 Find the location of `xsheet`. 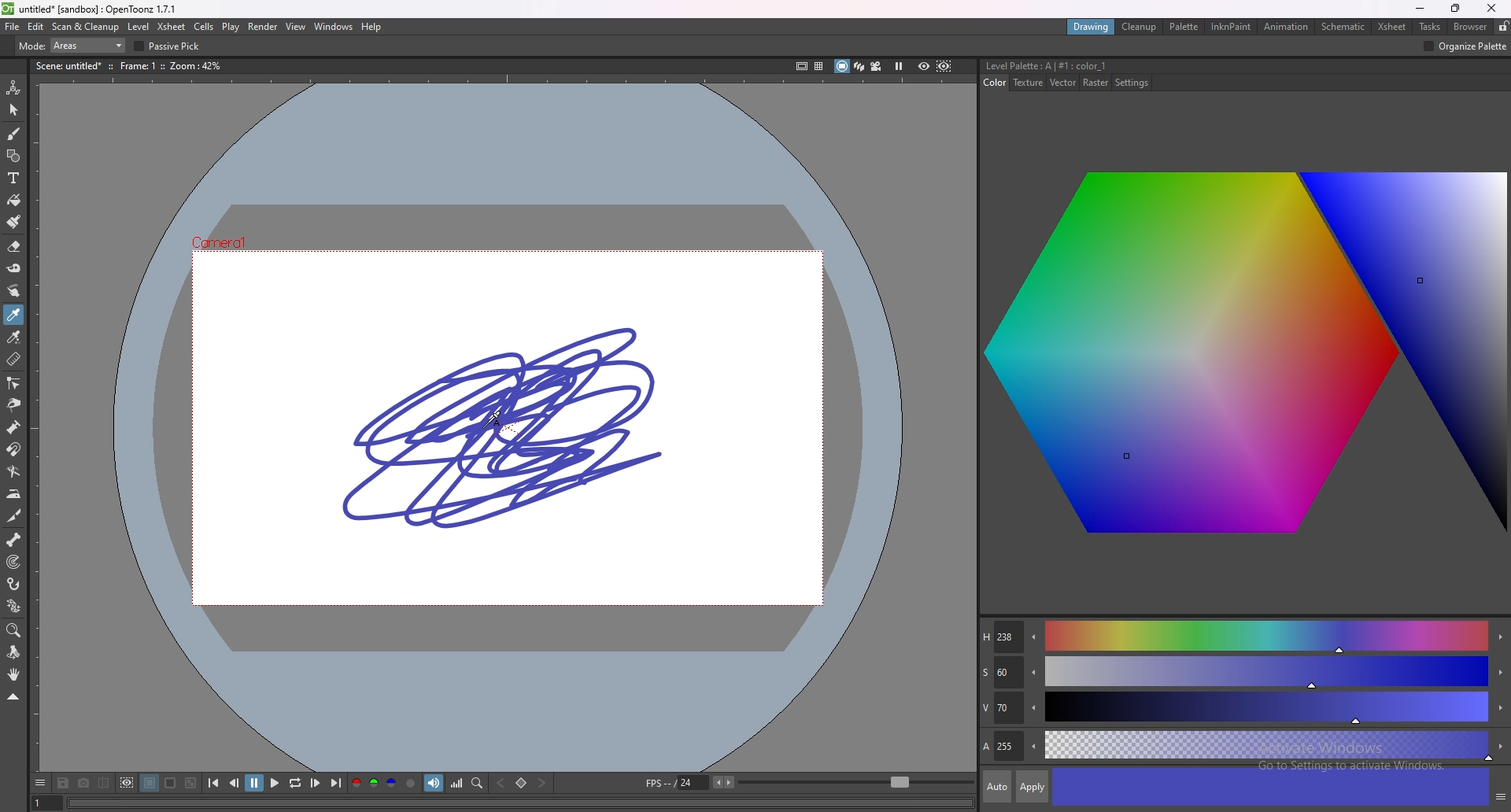

xsheet is located at coordinates (1393, 27).